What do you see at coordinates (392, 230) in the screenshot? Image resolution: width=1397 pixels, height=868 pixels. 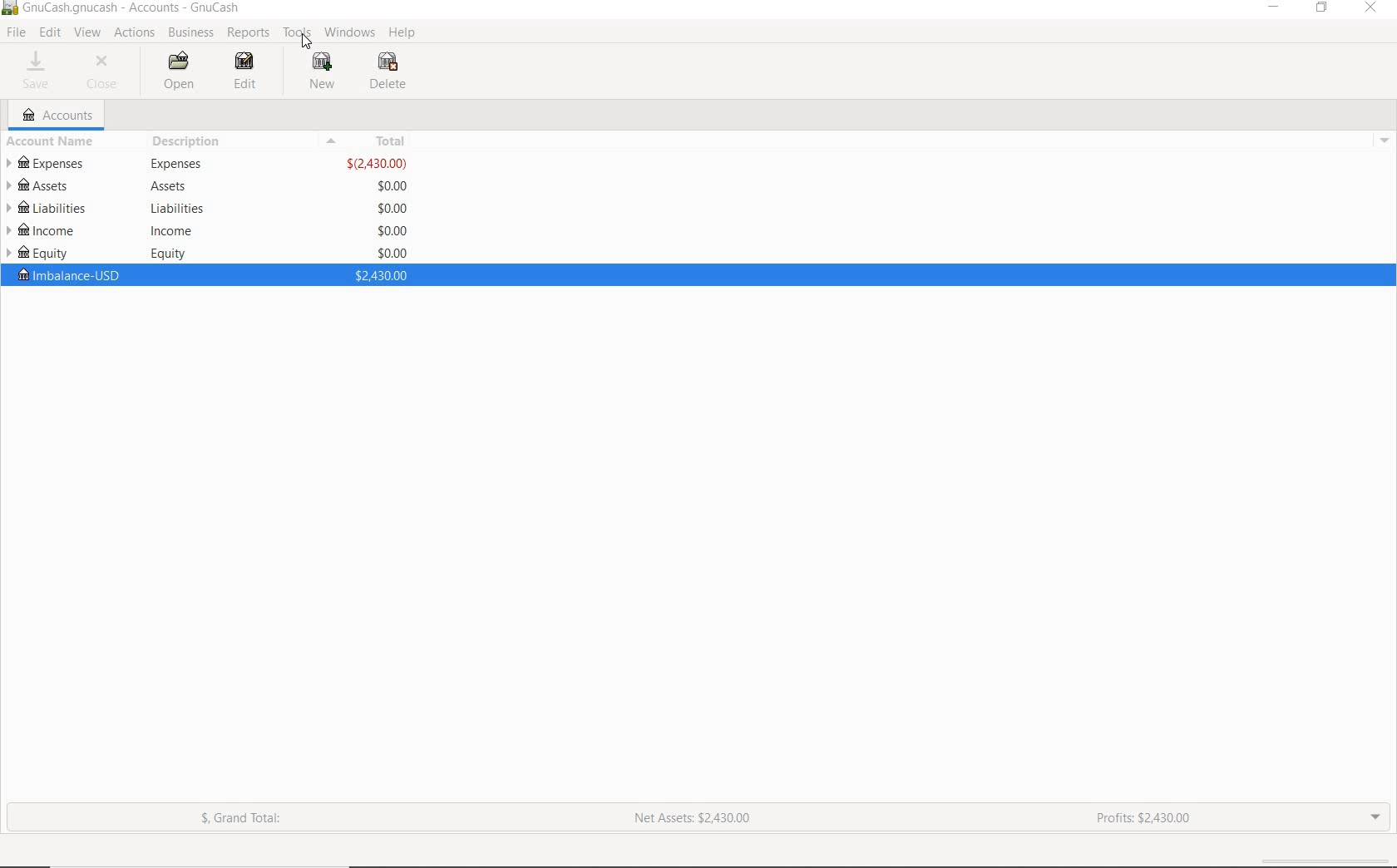 I see `$0.00` at bounding box center [392, 230].